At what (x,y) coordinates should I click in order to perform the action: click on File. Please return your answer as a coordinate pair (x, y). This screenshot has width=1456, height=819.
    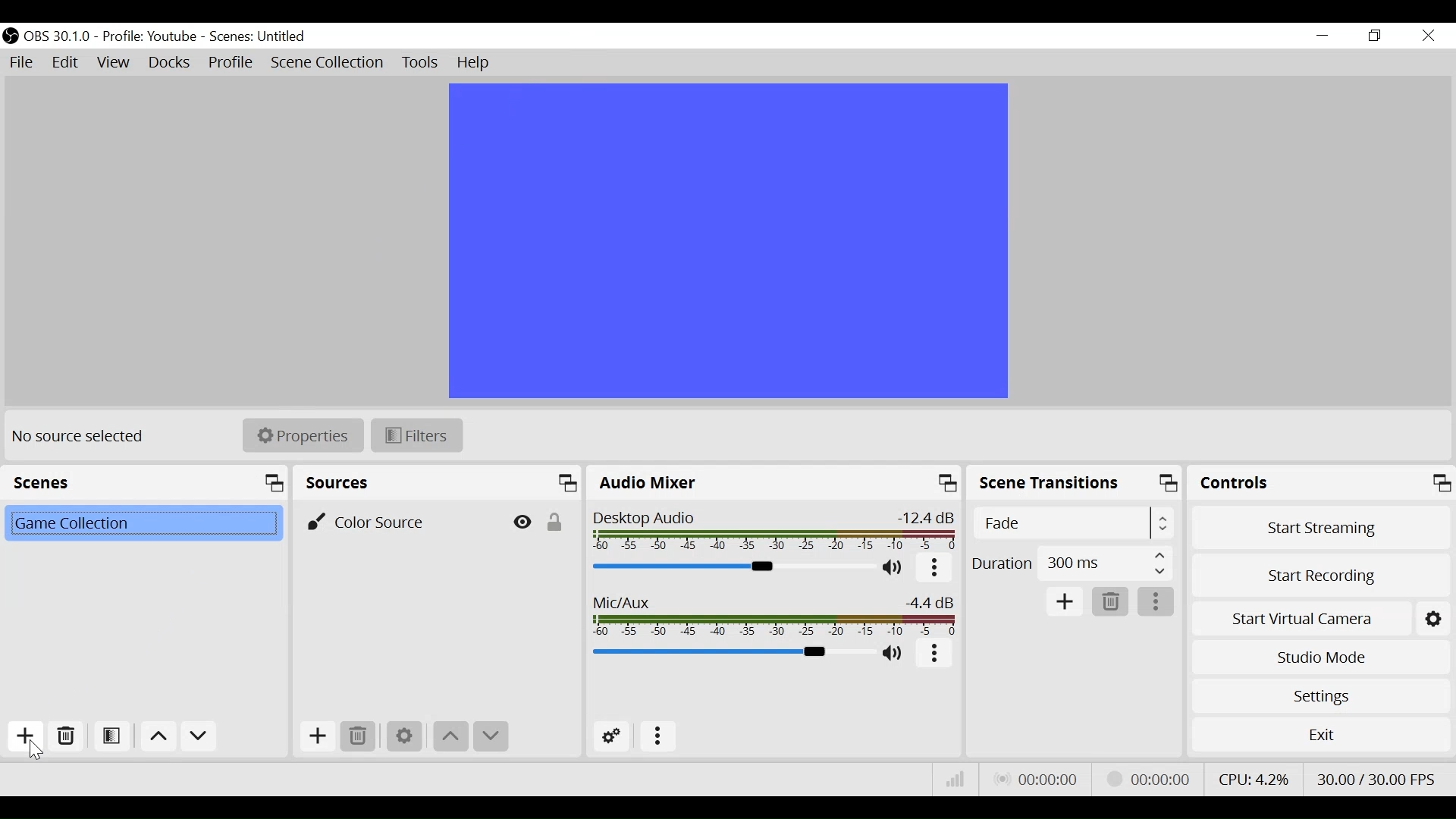
    Looking at the image, I should click on (21, 61).